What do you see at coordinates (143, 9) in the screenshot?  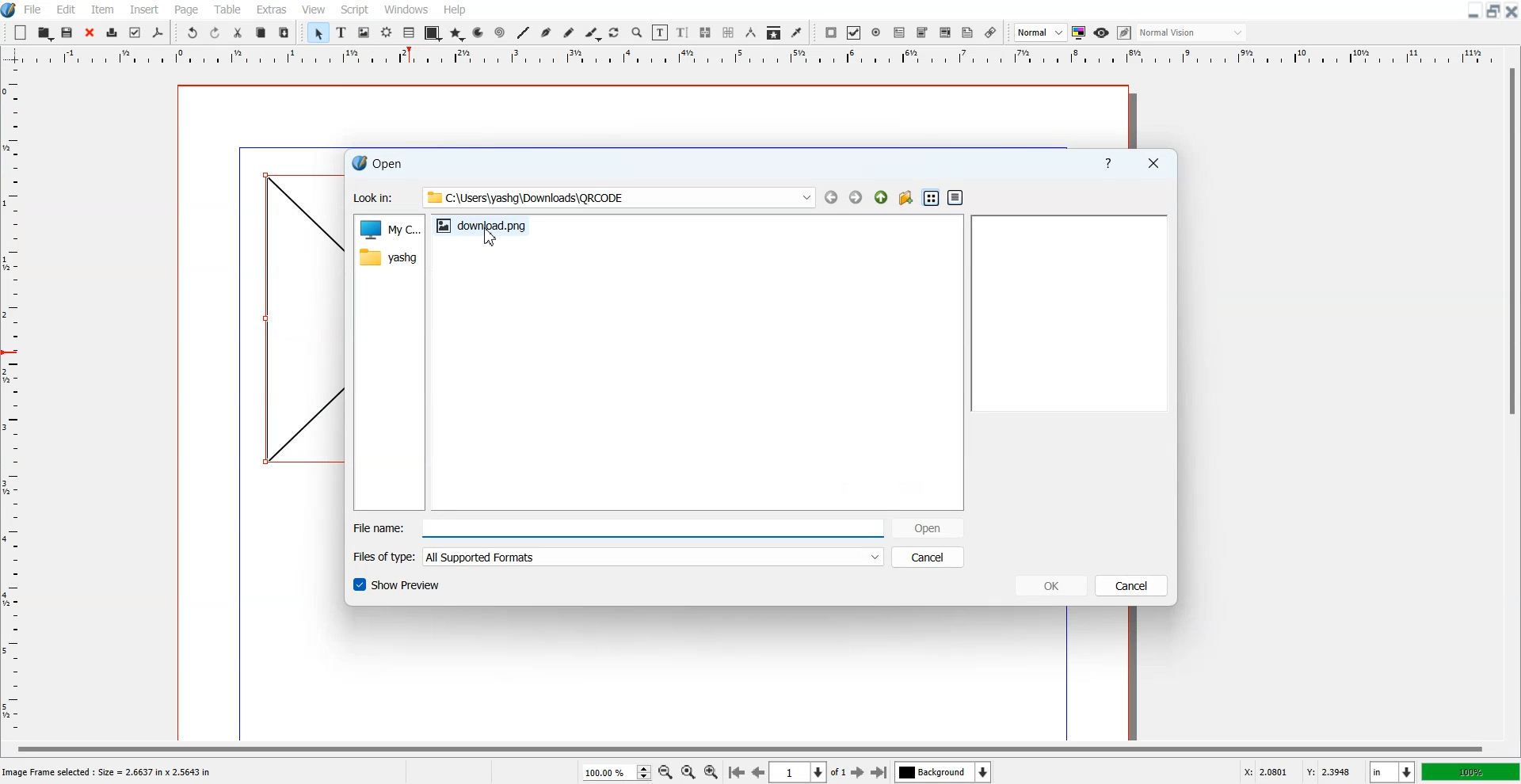 I see `Insert` at bounding box center [143, 9].